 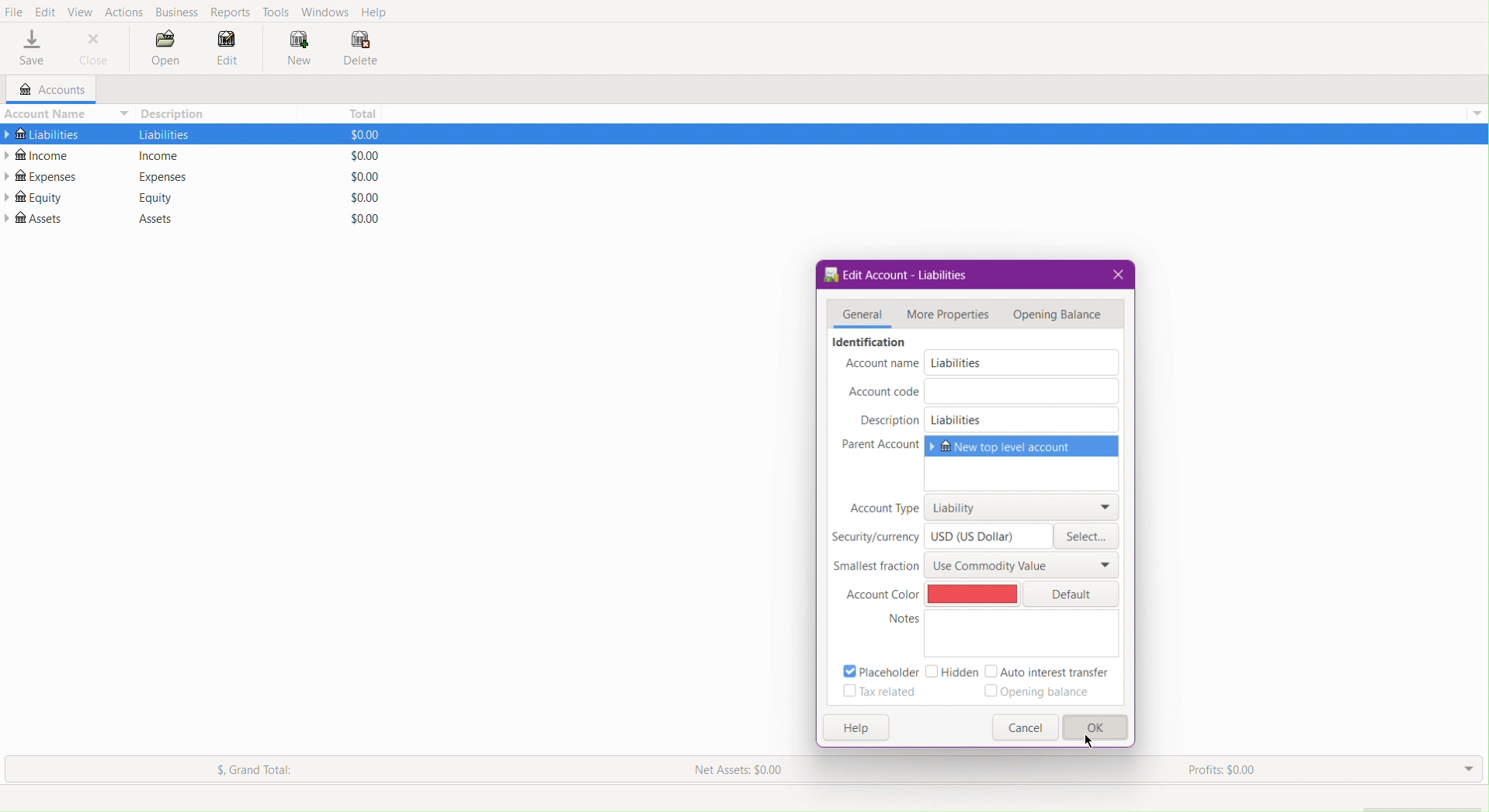 I want to click on Open, so click(x=166, y=50).